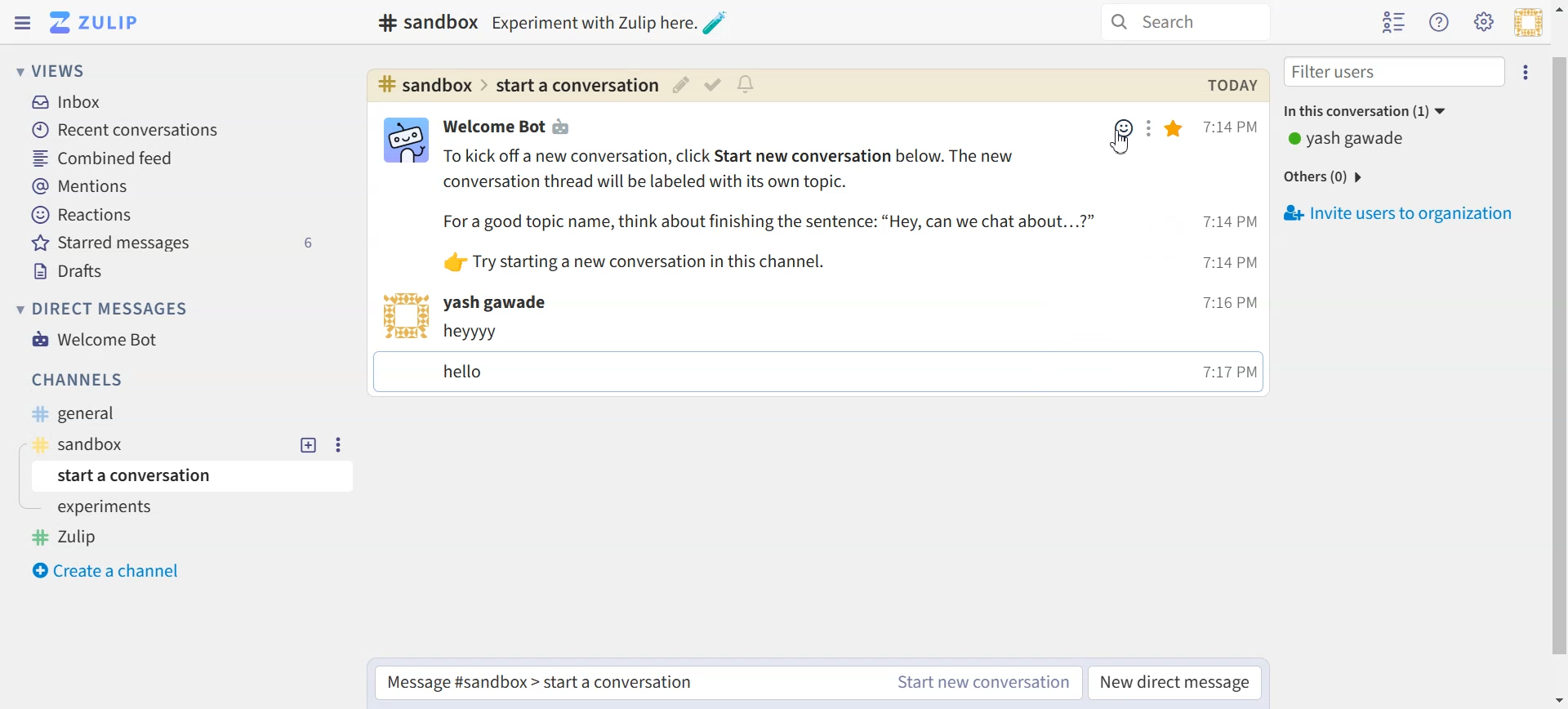 This screenshot has width=1568, height=709. Describe the element at coordinates (112, 571) in the screenshot. I see `Create a channel` at that location.